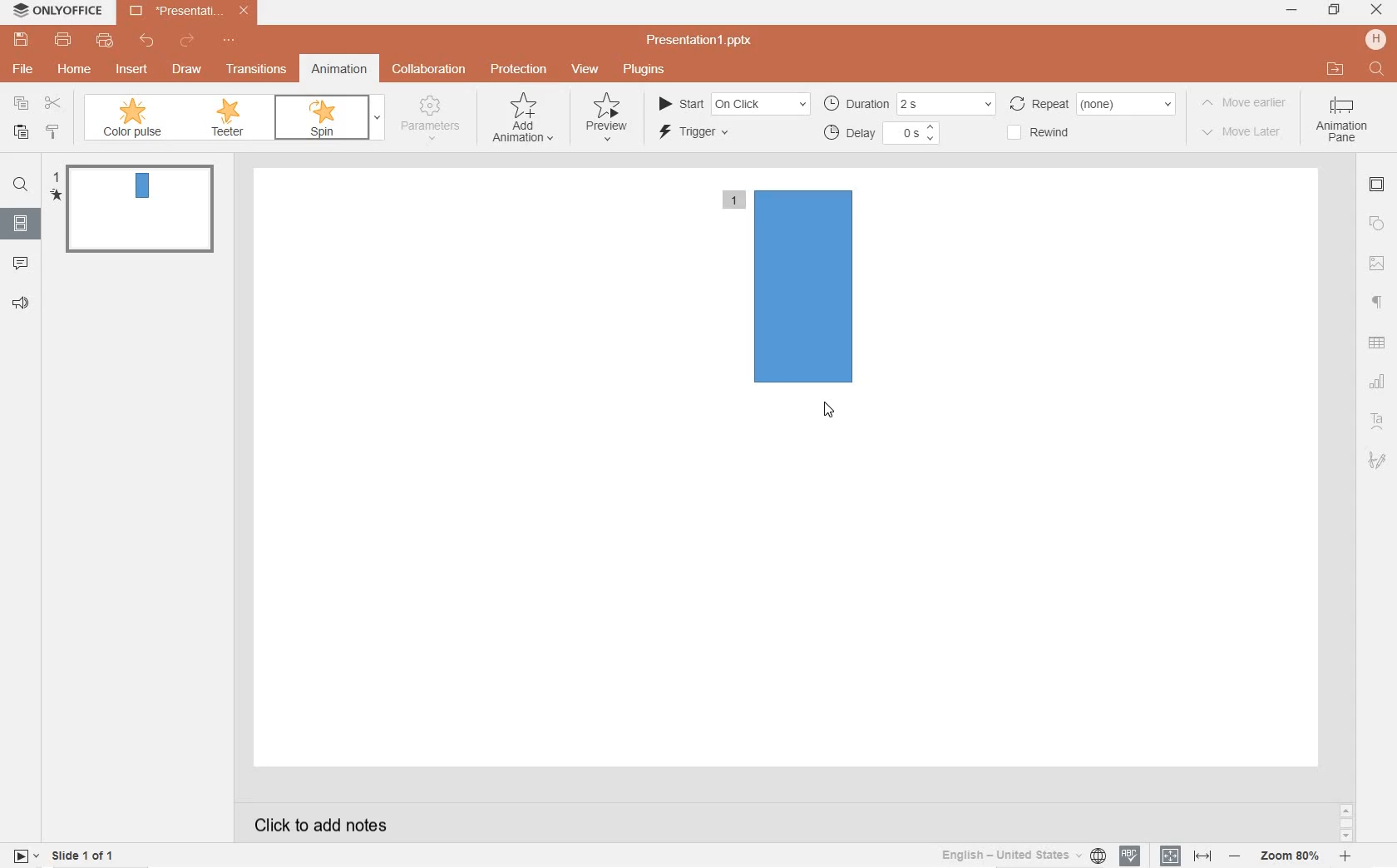 This screenshot has width=1397, height=868. I want to click on delay, so click(882, 133).